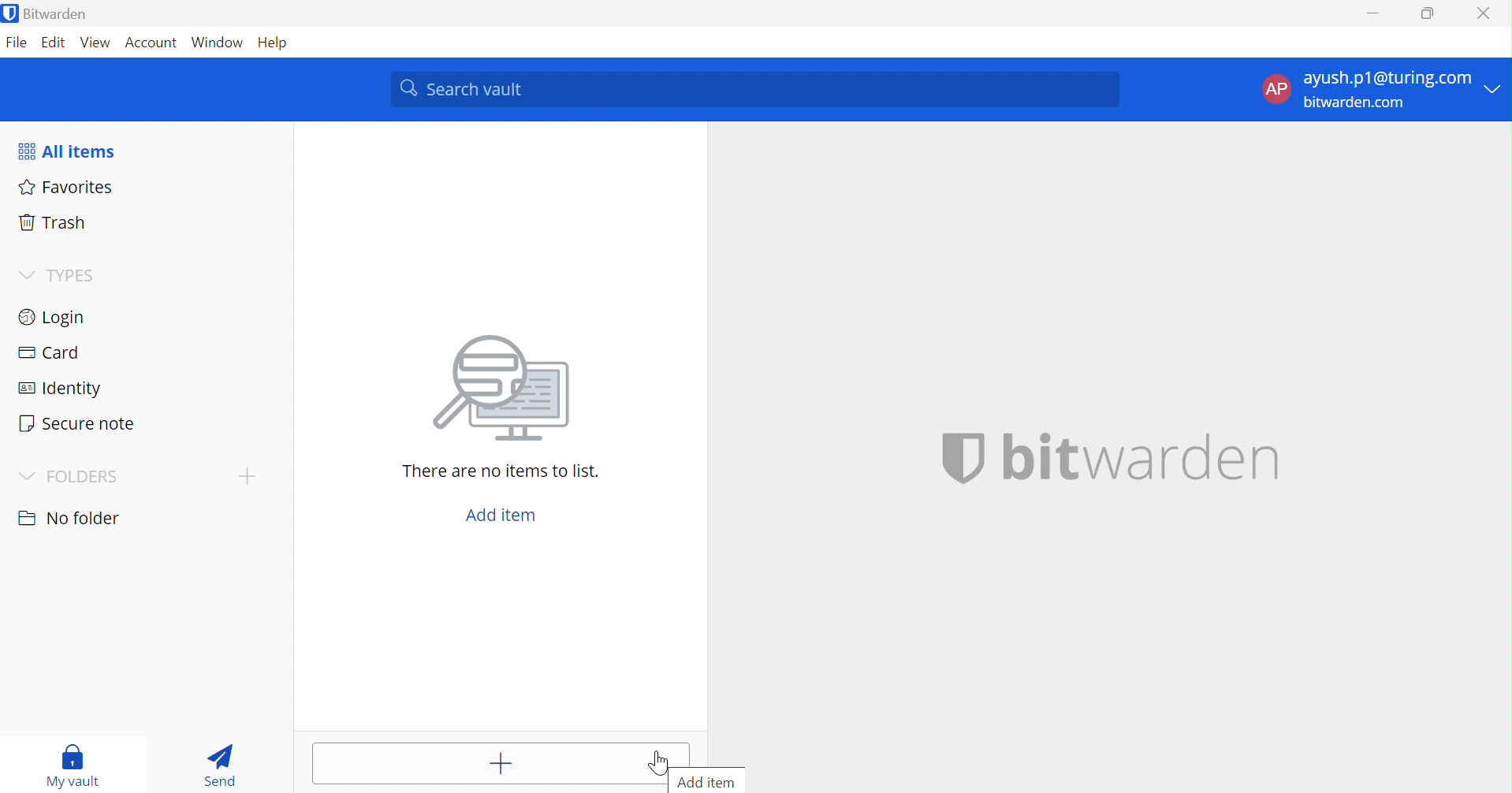  What do you see at coordinates (1387, 77) in the screenshot?
I see `ayush.p1@turing.com` at bounding box center [1387, 77].